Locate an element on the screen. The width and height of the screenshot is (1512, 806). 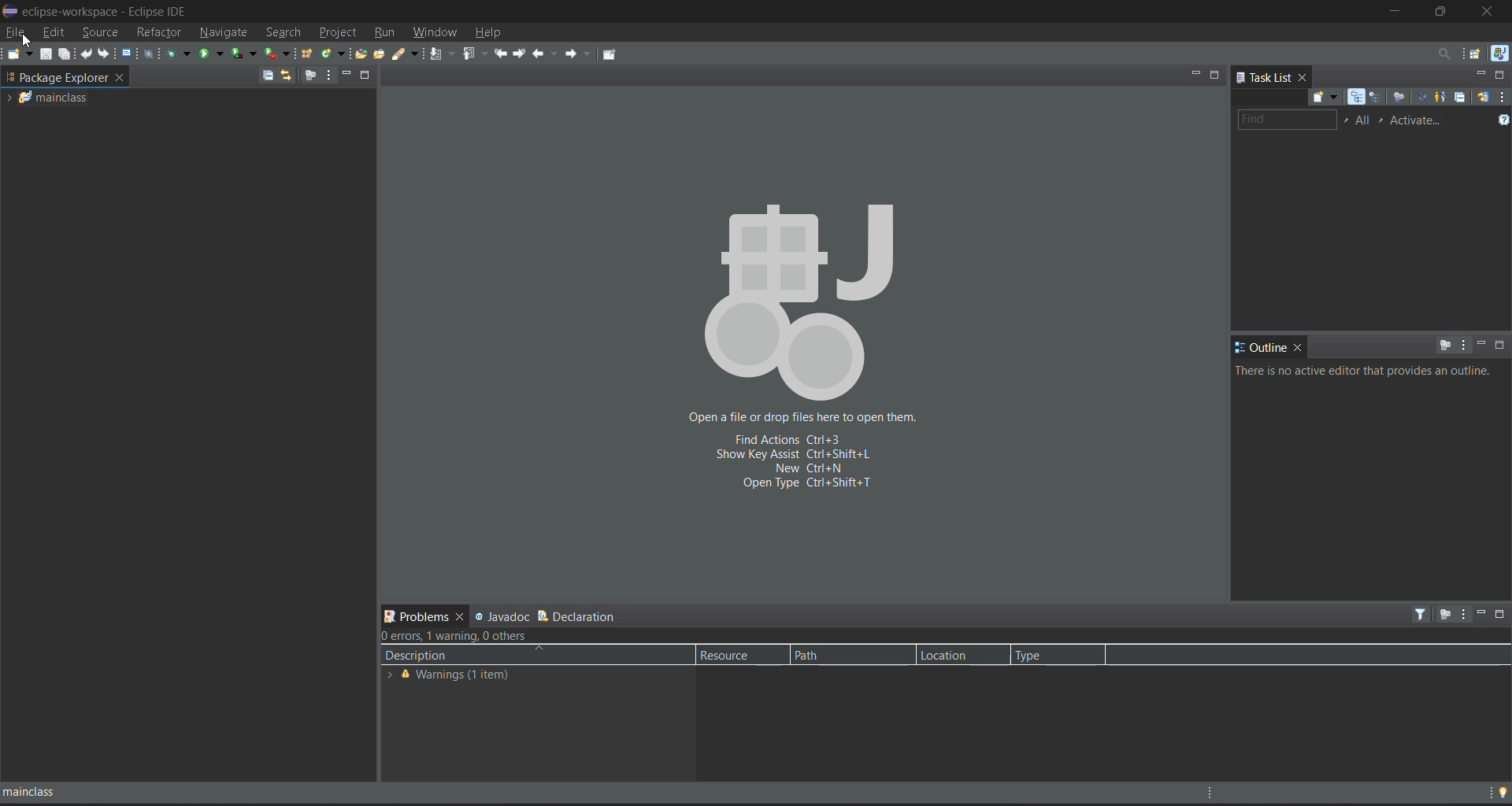
task list is located at coordinates (1263, 76).